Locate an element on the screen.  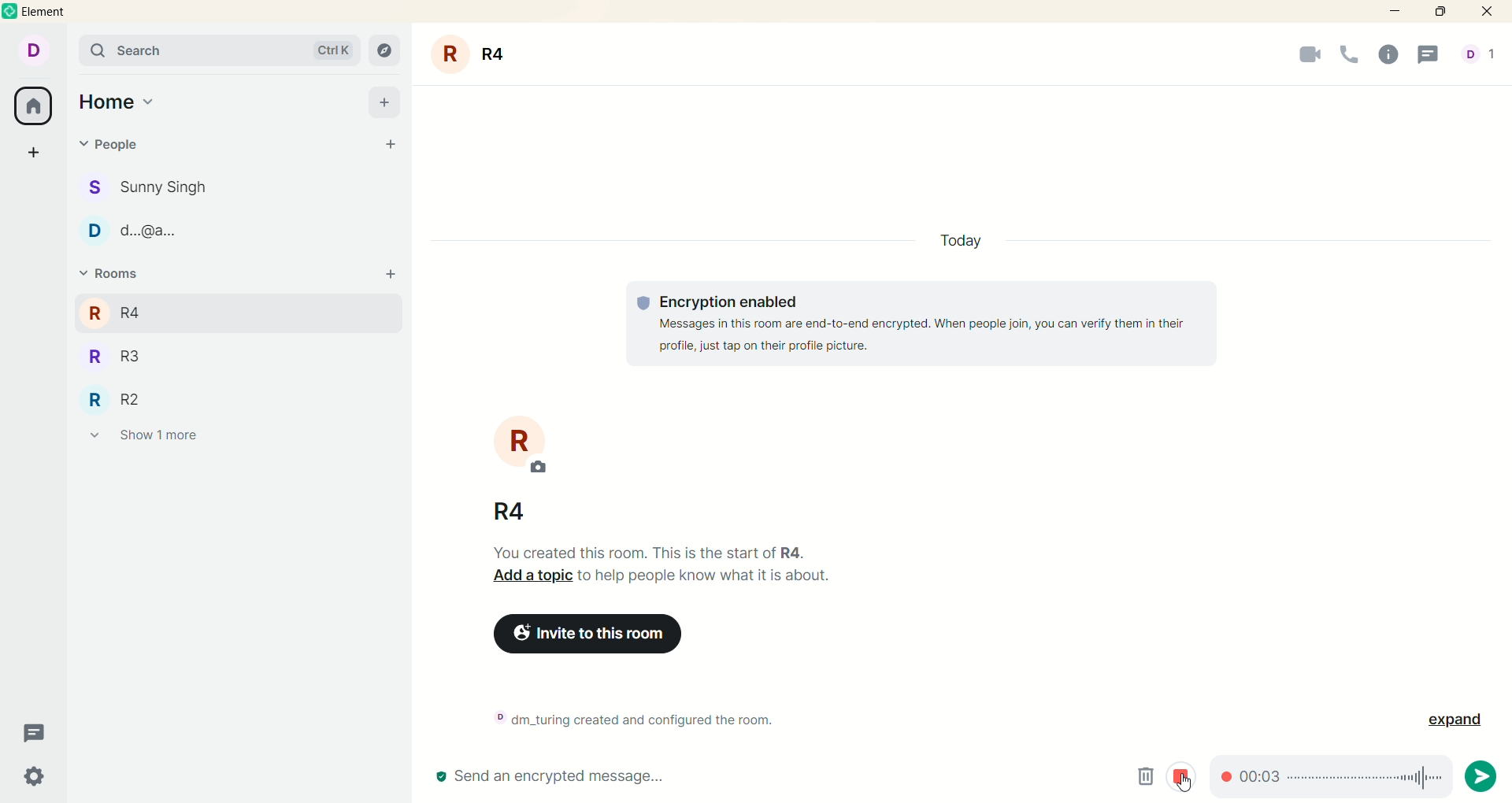
R4 is located at coordinates (136, 310).